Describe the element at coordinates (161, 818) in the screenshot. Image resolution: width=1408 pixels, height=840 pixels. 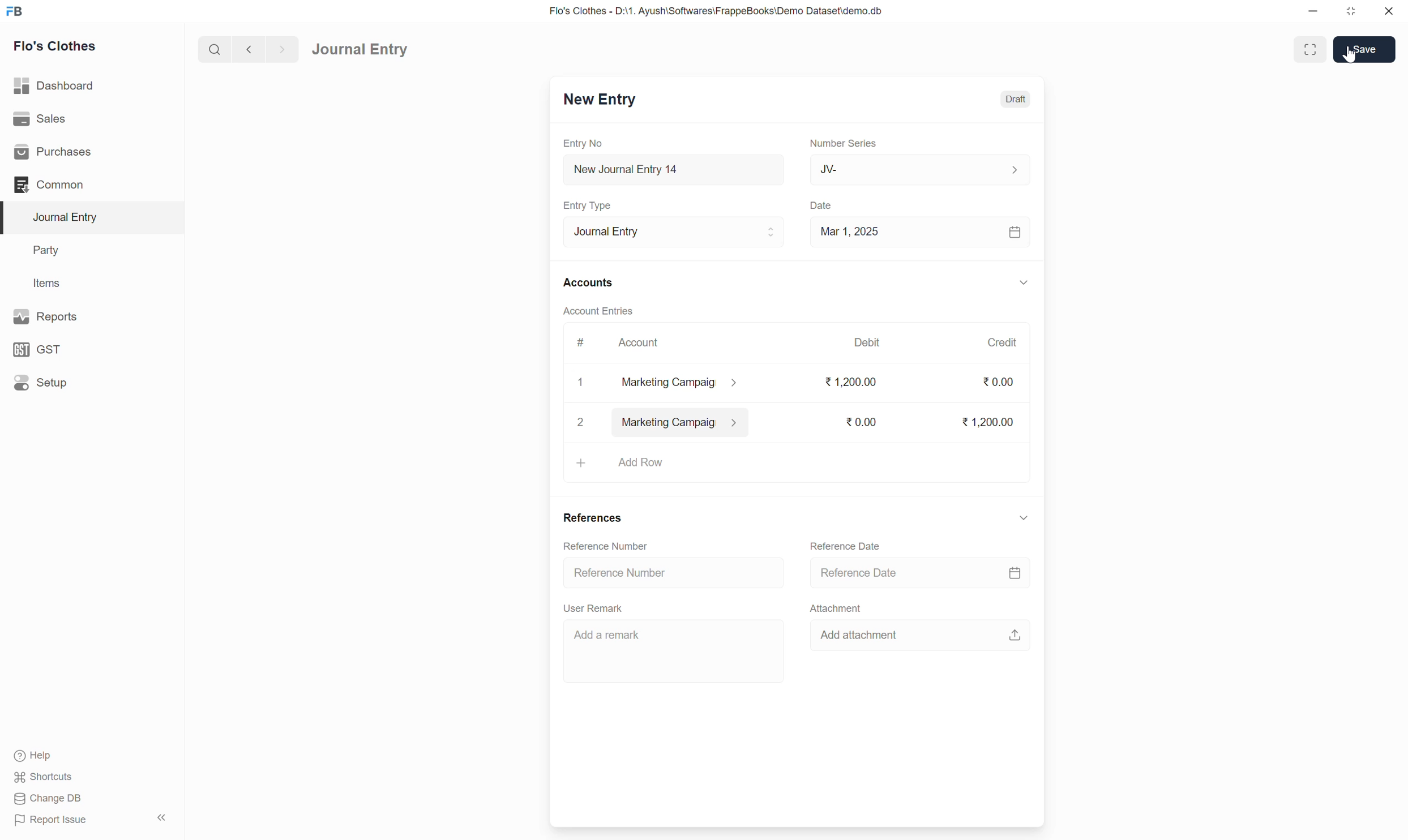
I see `<<` at that location.